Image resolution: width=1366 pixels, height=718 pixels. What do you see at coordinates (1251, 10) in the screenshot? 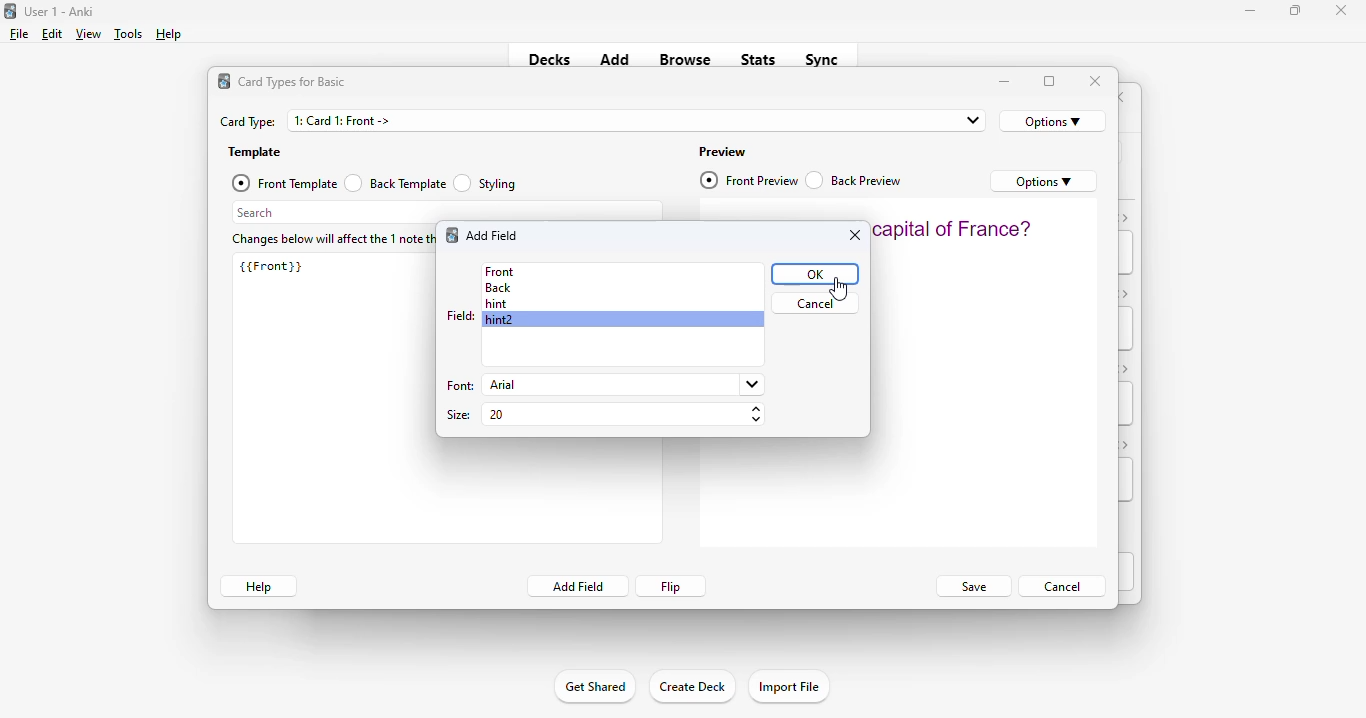
I see `minimize` at bounding box center [1251, 10].